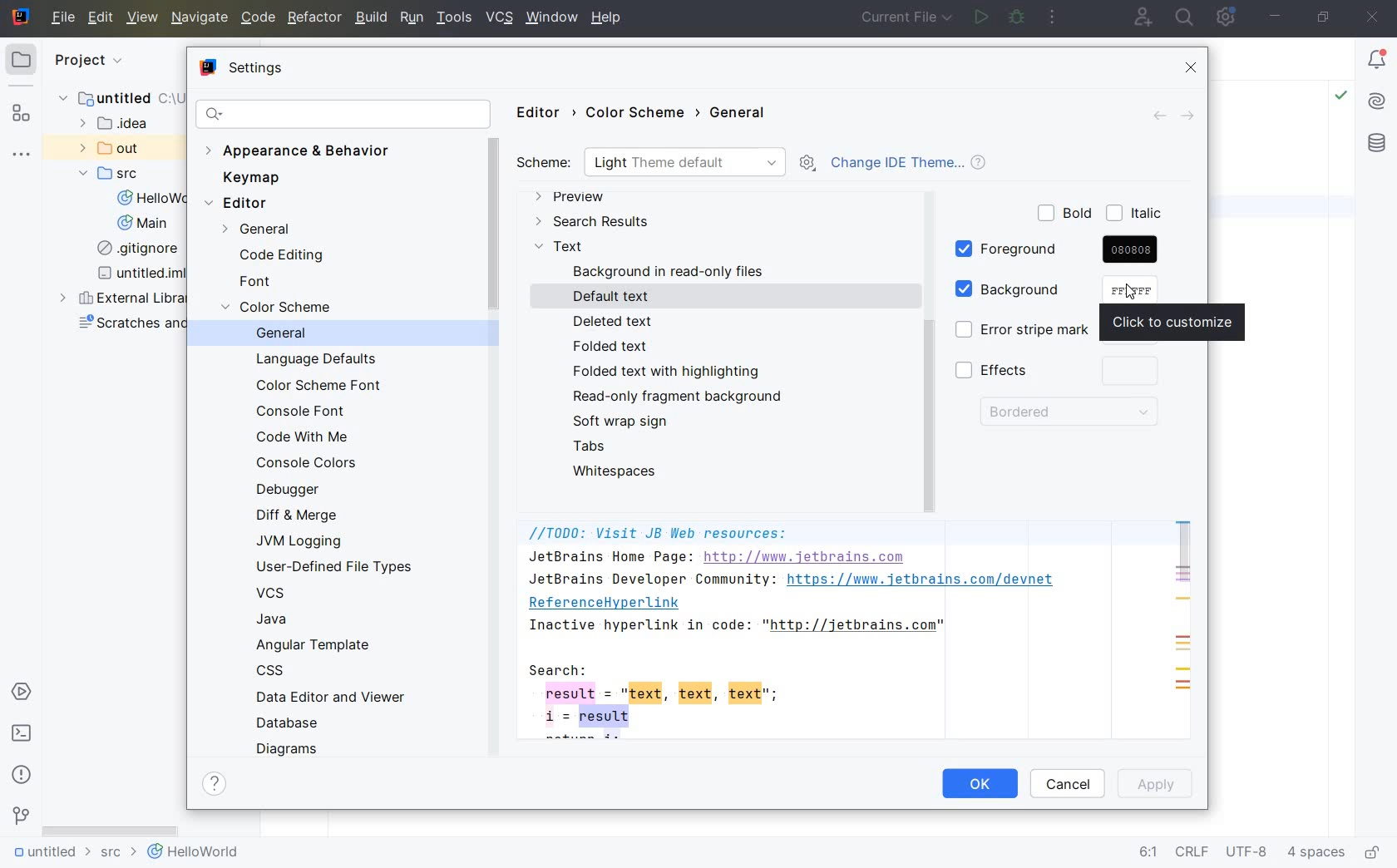 This screenshot has height=868, width=1397. What do you see at coordinates (275, 673) in the screenshot?
I see `CSS` at bounding box center [275, 673].